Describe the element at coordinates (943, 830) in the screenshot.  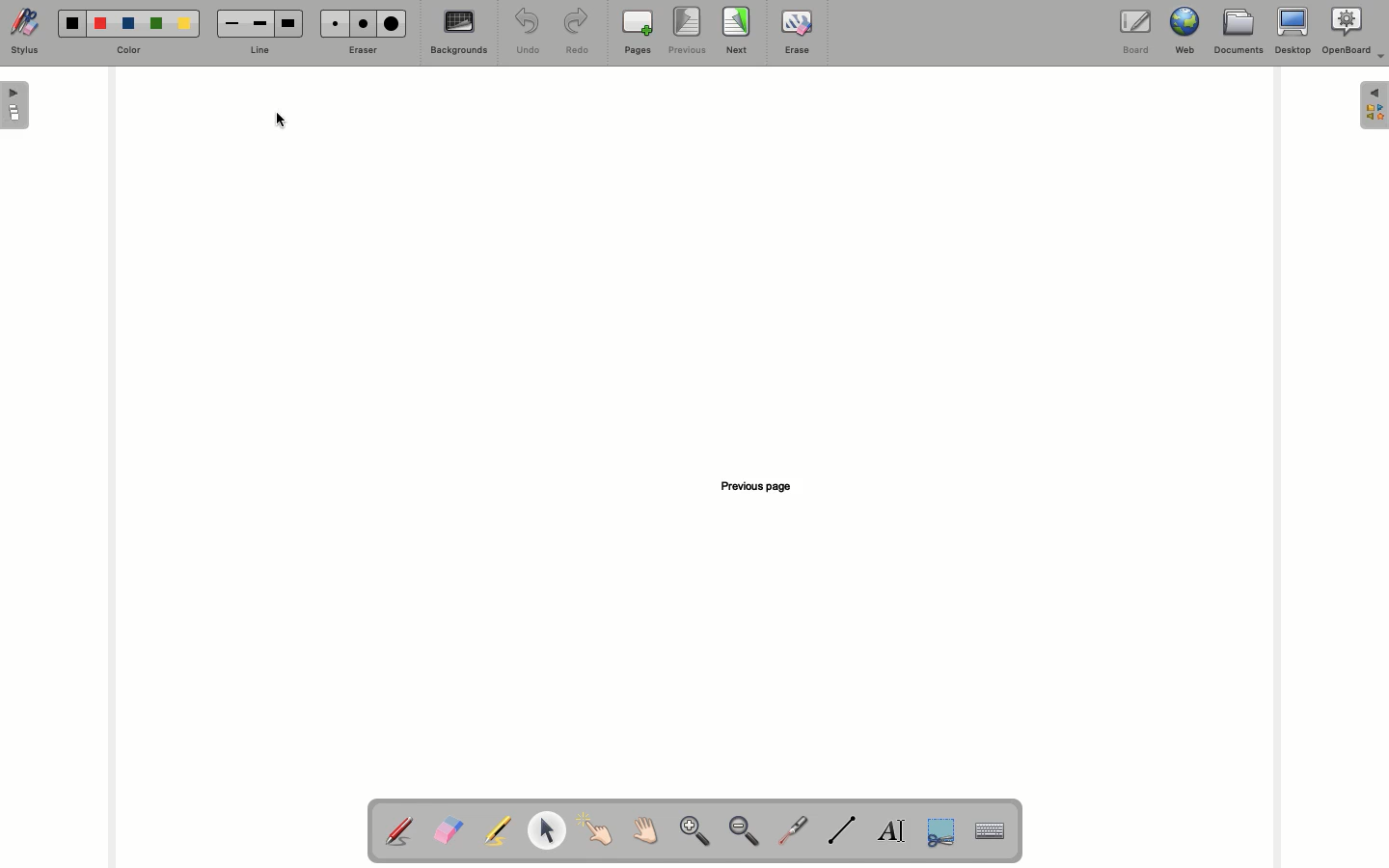
I see `Capturing a part of the screen` at that location.